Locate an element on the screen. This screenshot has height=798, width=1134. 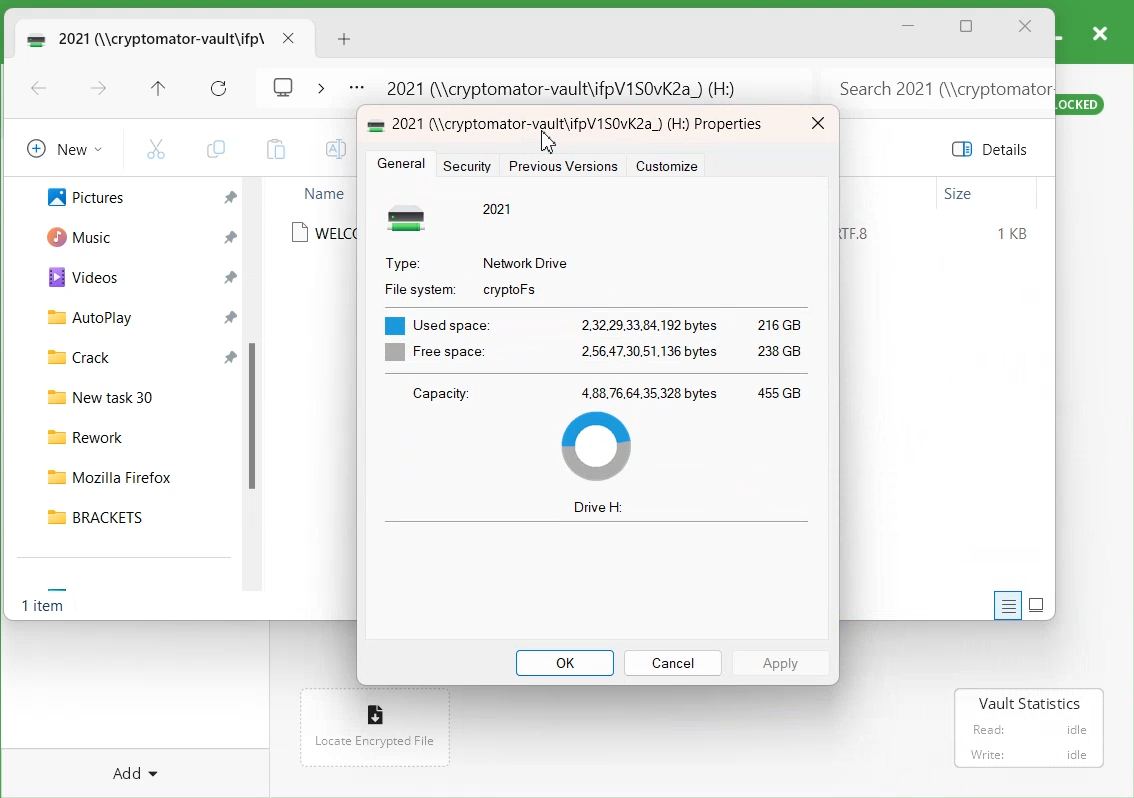
General is located at coordinates (401, 165).